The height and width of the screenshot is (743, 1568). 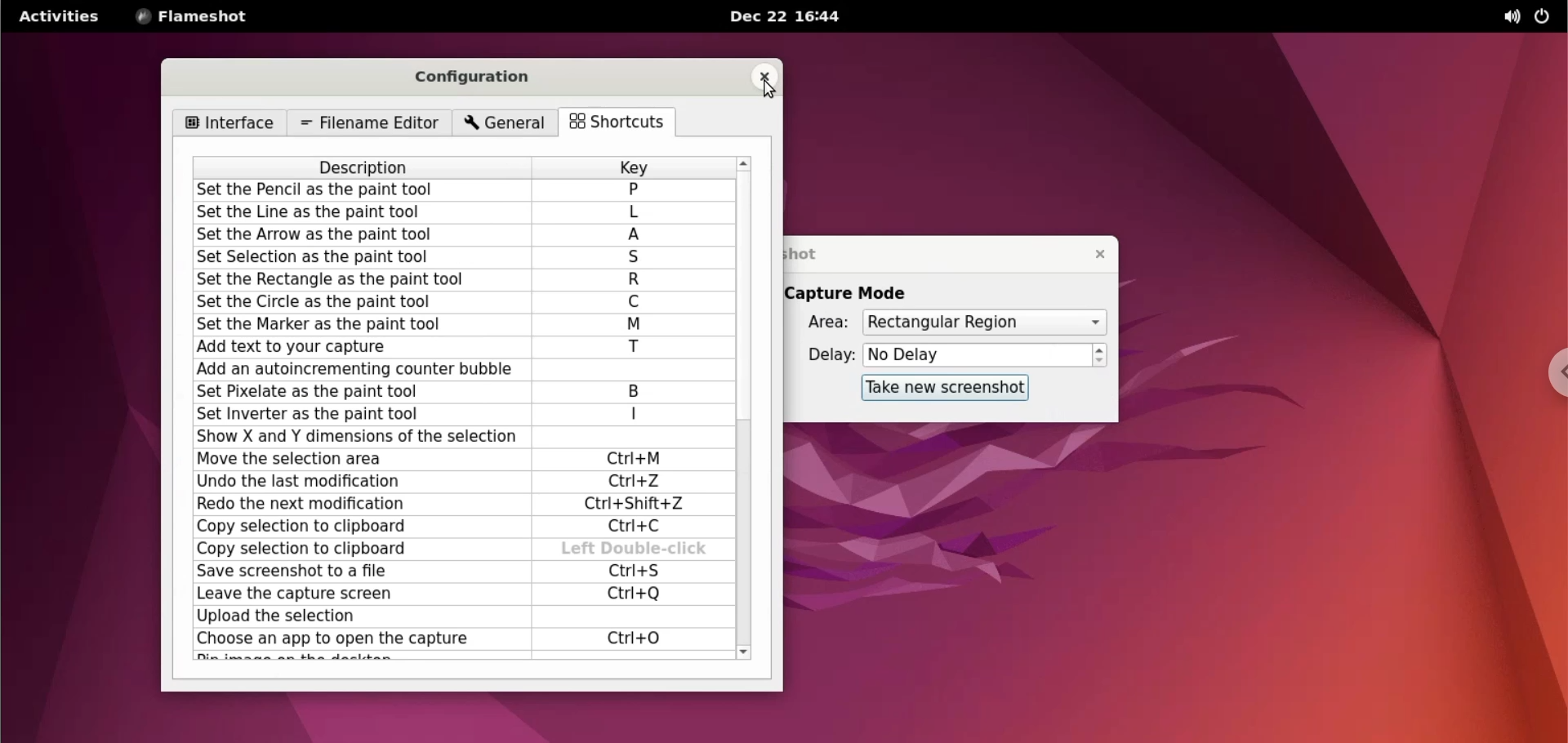 What do you see at coordinates (643, 391) in the screenshot?
I see `B` at bounding box center [643, 391].